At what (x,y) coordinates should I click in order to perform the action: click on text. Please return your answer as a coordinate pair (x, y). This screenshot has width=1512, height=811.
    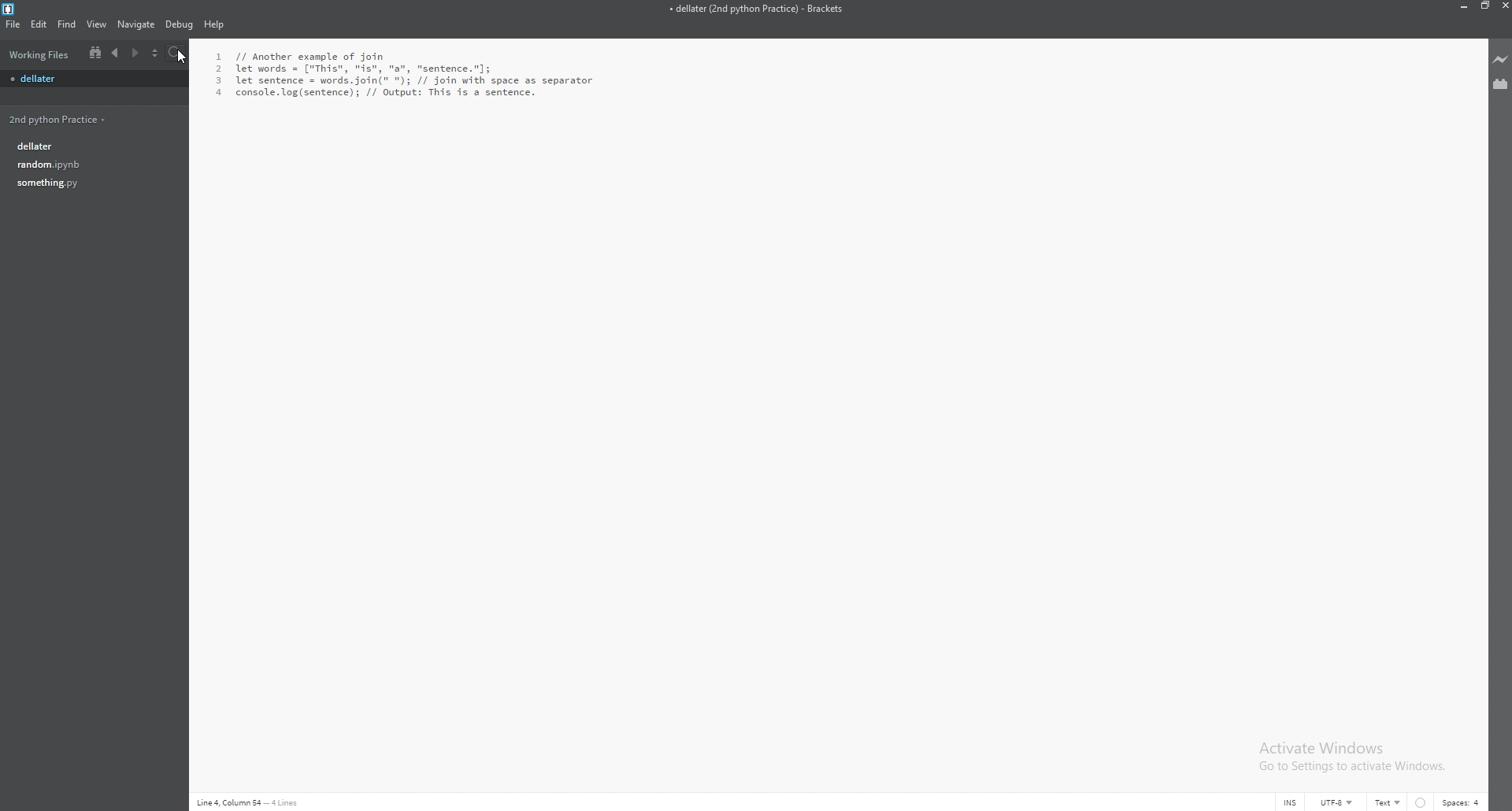
    Looking at the image, I should click on (1388, 803).